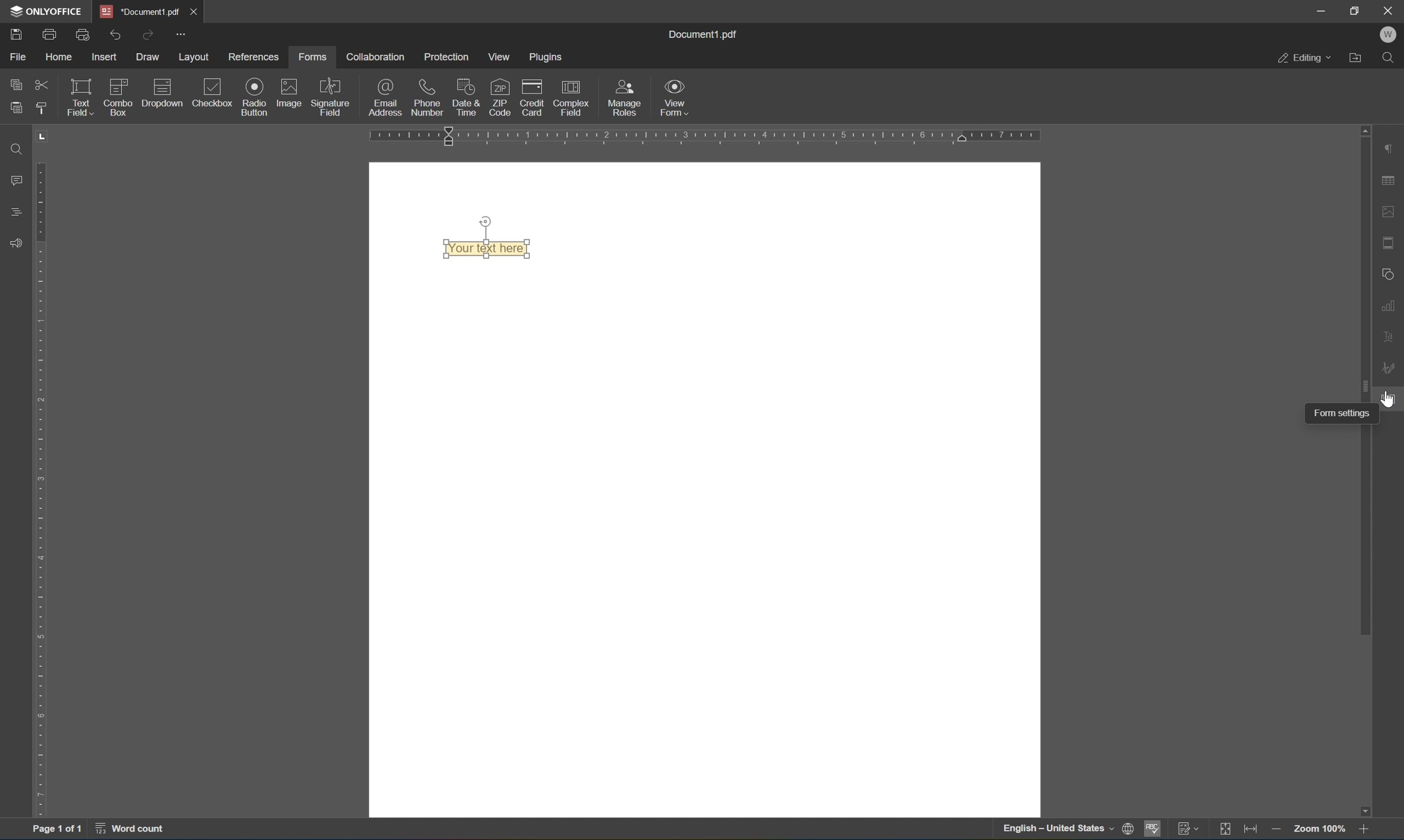 The height and width of the screenshot is (840, 1404). Describe the element at coordinates (1060, 830) in the screenshot. I see `english - united states` at that location.